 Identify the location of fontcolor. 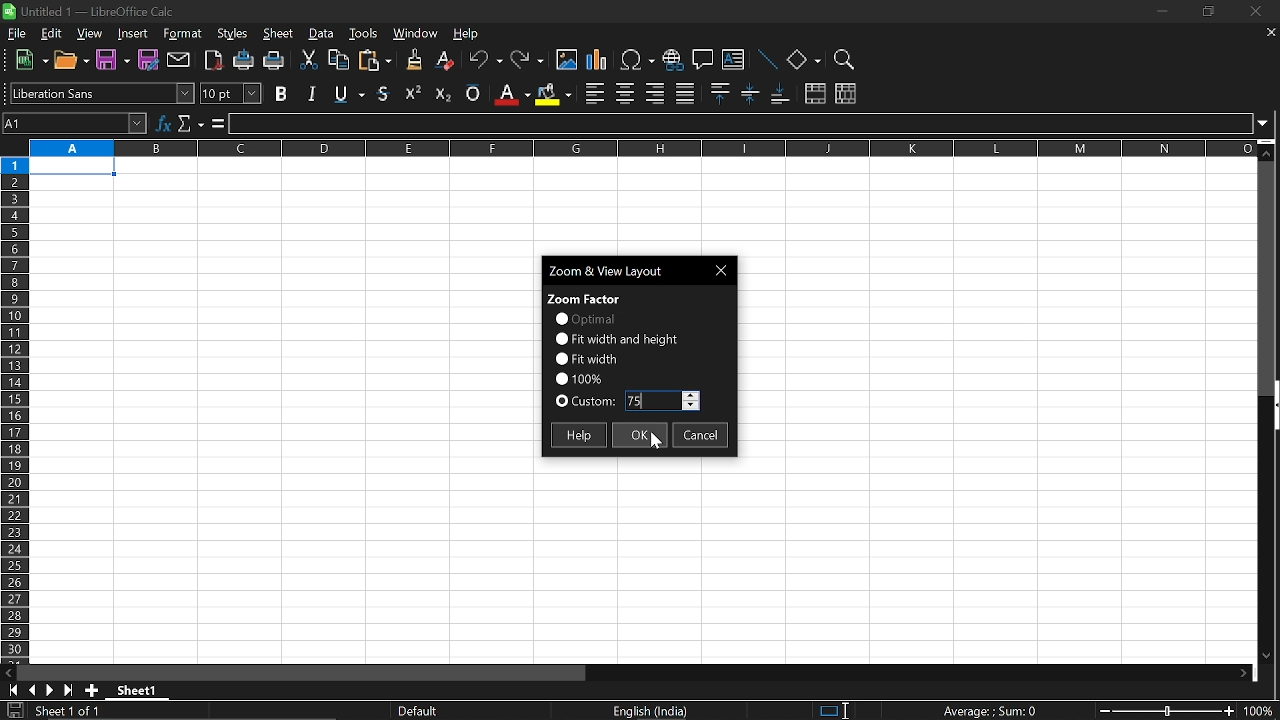
(511, 94).